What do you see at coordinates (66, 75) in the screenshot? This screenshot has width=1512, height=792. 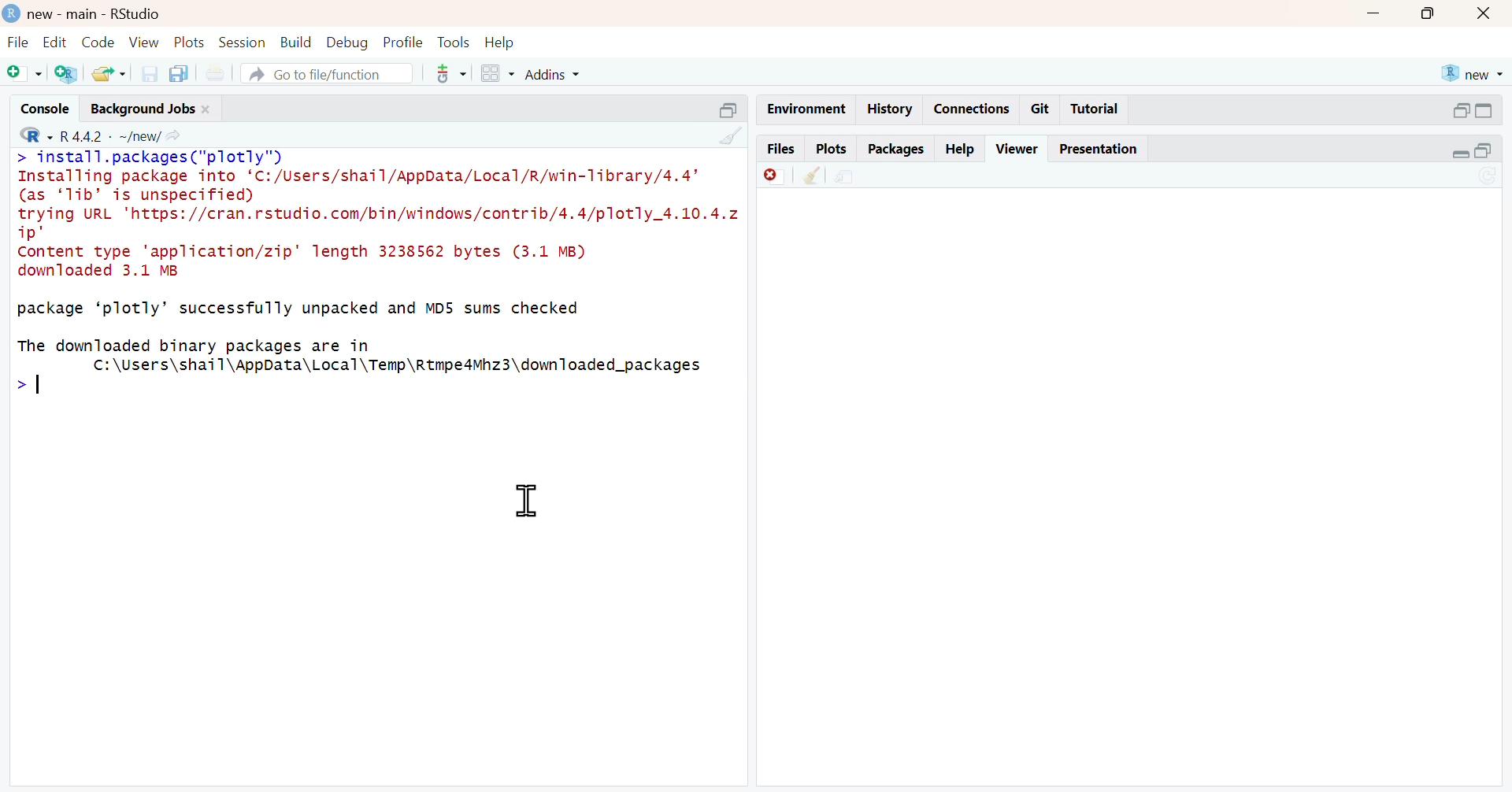 I see `create a project` at bounding box center [66, 75].